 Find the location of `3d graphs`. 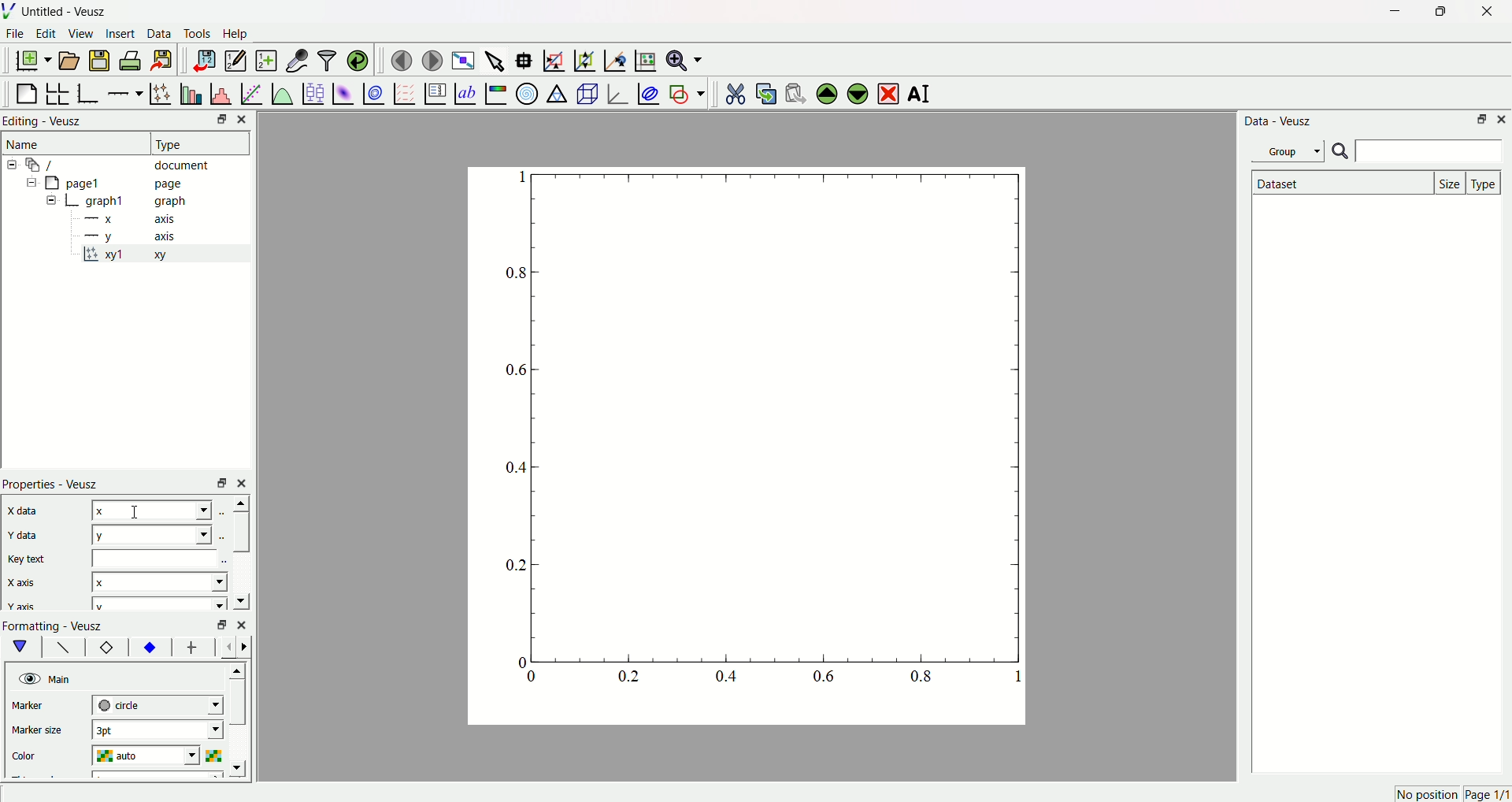

3d graphs is located at coordinates (617, 93).